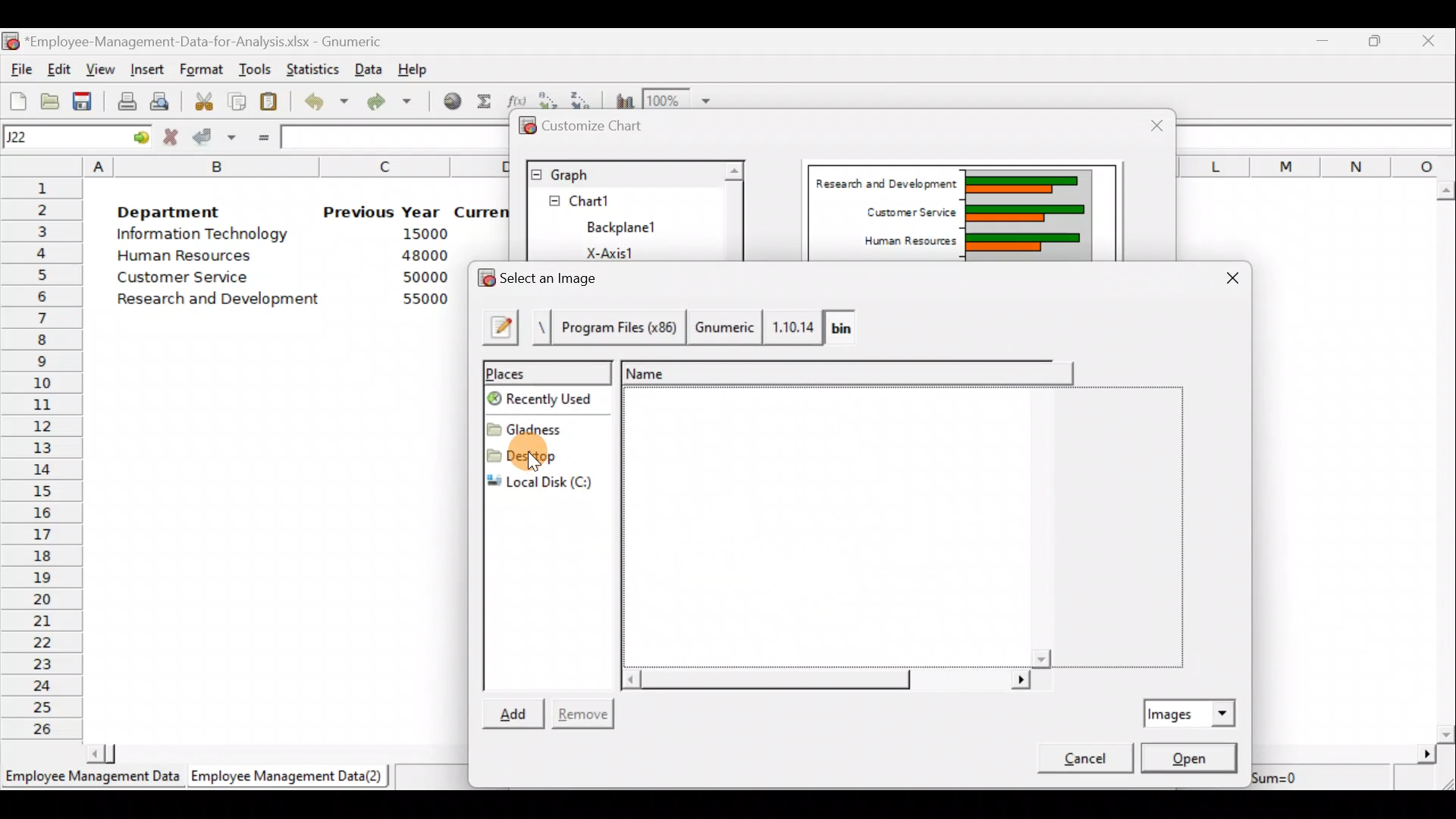 The image size is (1456, 819). I want to click on Maximize, so click(1379, 41).